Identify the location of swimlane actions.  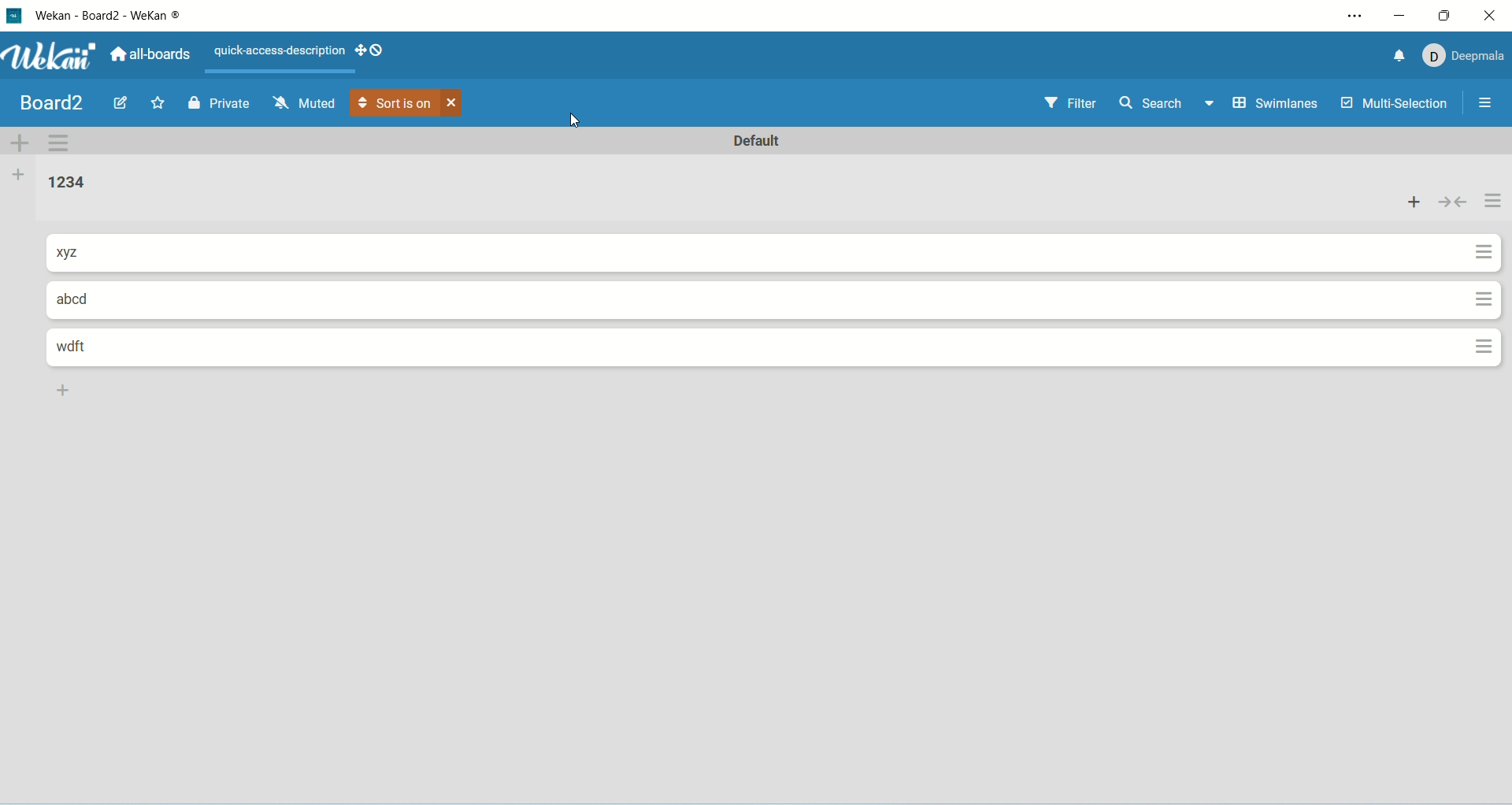
(60, 145).